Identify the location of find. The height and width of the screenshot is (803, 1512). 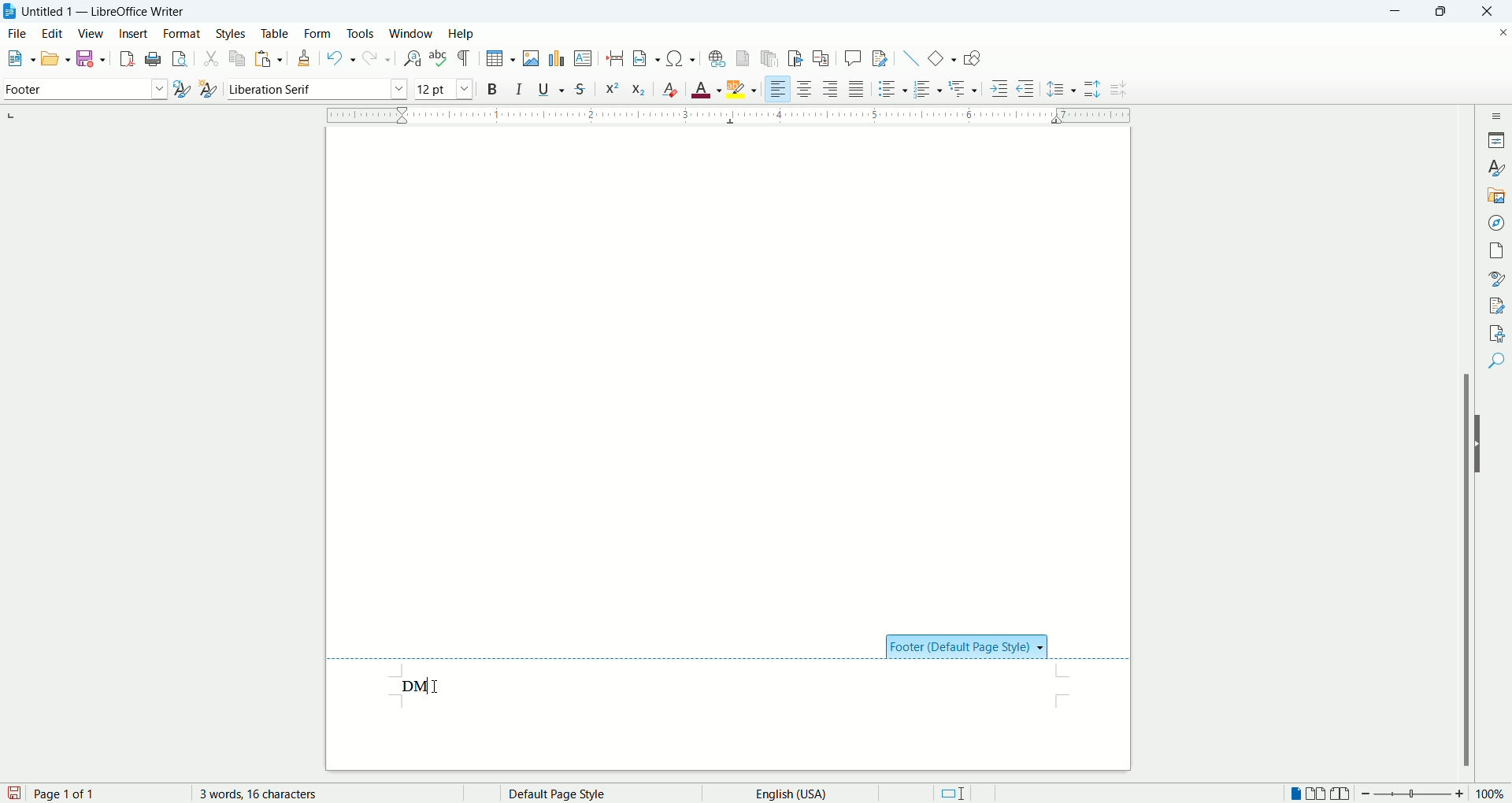
(1499, 360).